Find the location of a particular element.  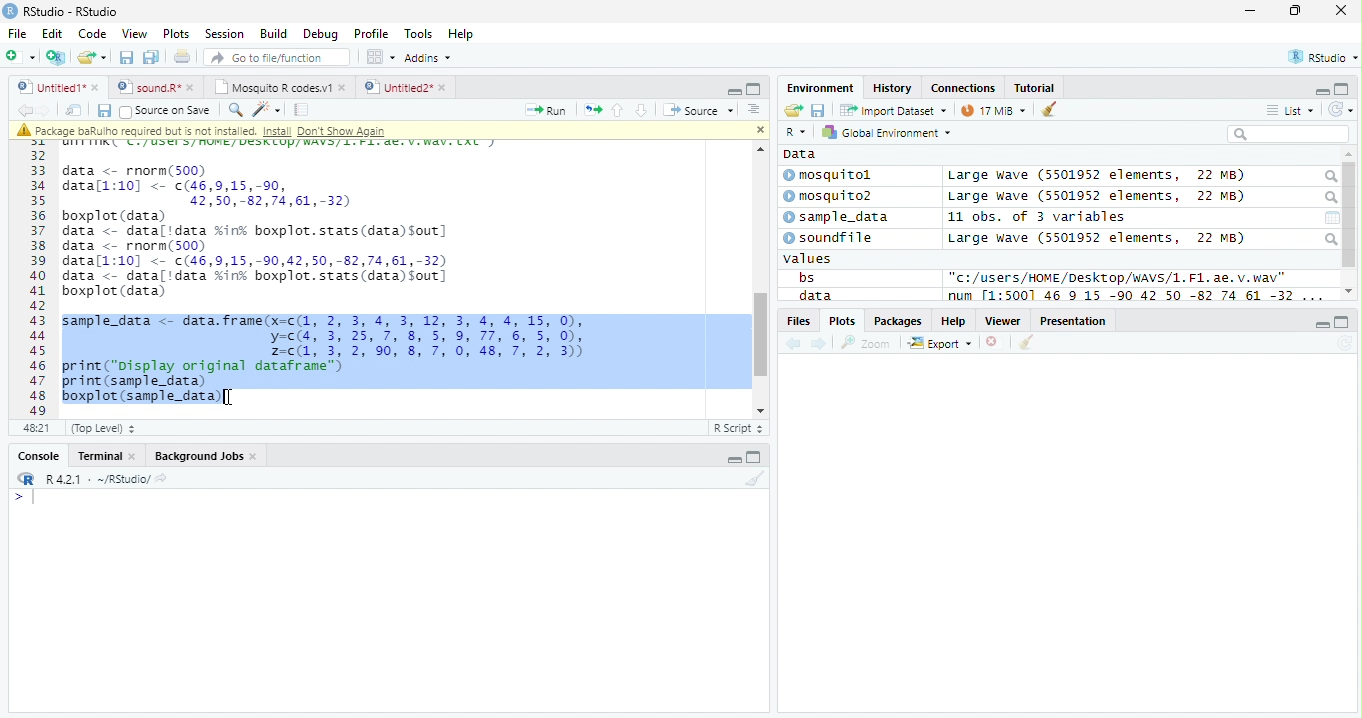

data <- rnorm(500)

data[1:10] <- (46,9,15,-90,
42,50,-82,74,61,-32)

boxplot (data)

data <- data[!data %in% boxplot.stats(data)sout]

data <- rnorm(500)

data[1:10] <- c(46,9,15,-90,42,50,-82,74,61,-32)

data <- data['data %ink boxplot.stats(data)sout]

boxplot (data) is located at coordinates (258, 232).